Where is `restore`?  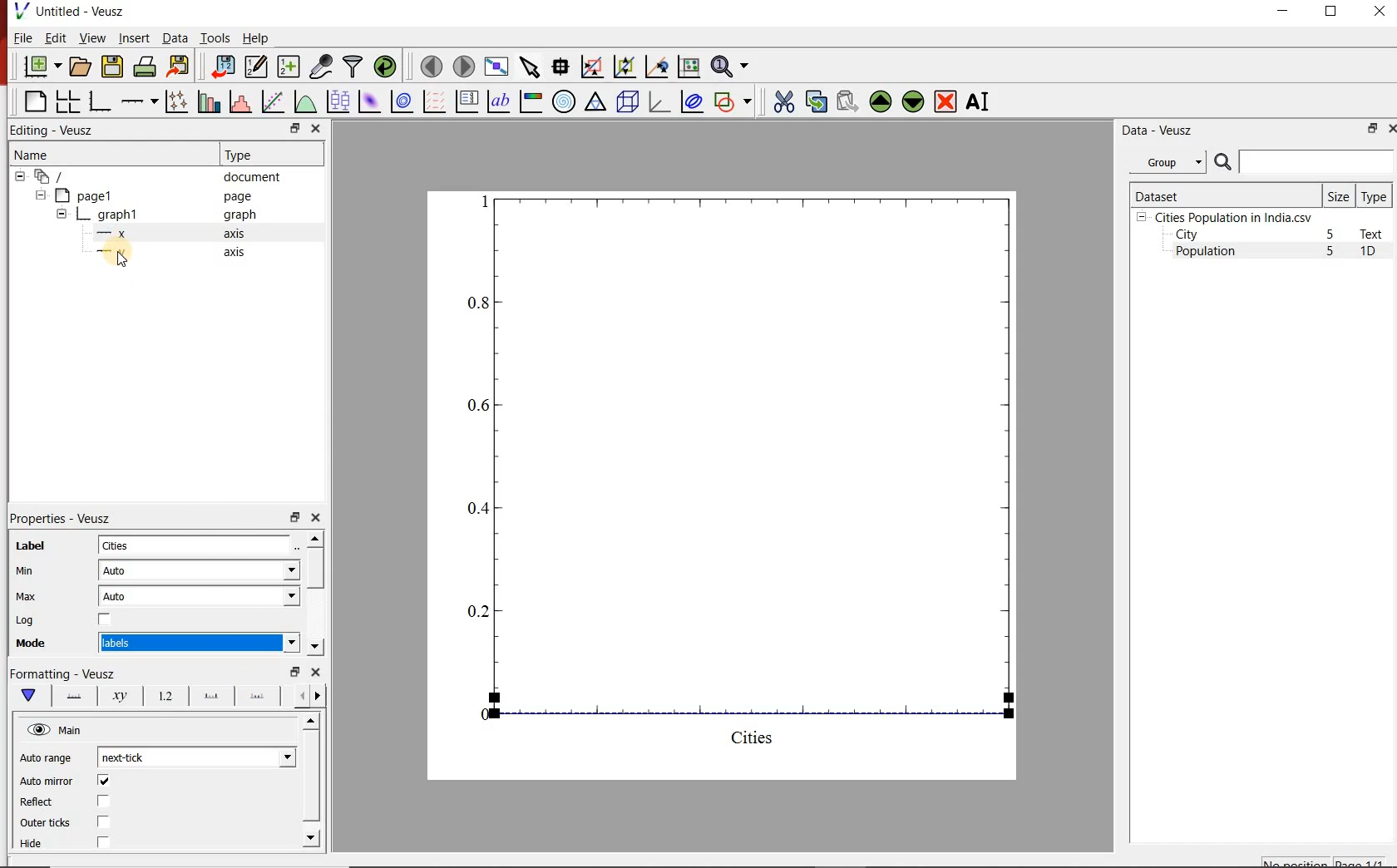 restore is located at coordinates (1373, 128).